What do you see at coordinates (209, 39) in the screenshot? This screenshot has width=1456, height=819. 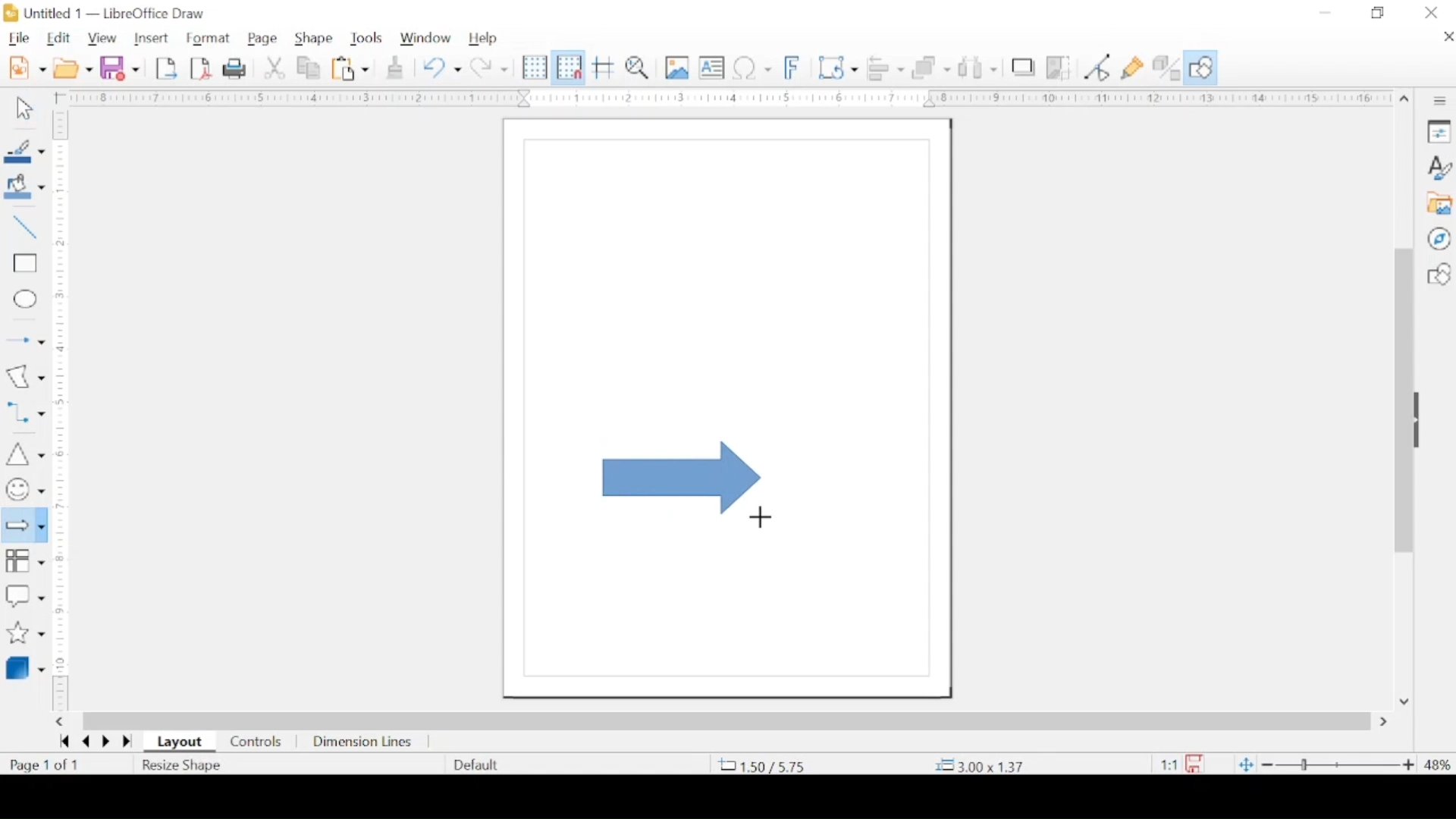 I see `format` at bounding box center [209, 39].